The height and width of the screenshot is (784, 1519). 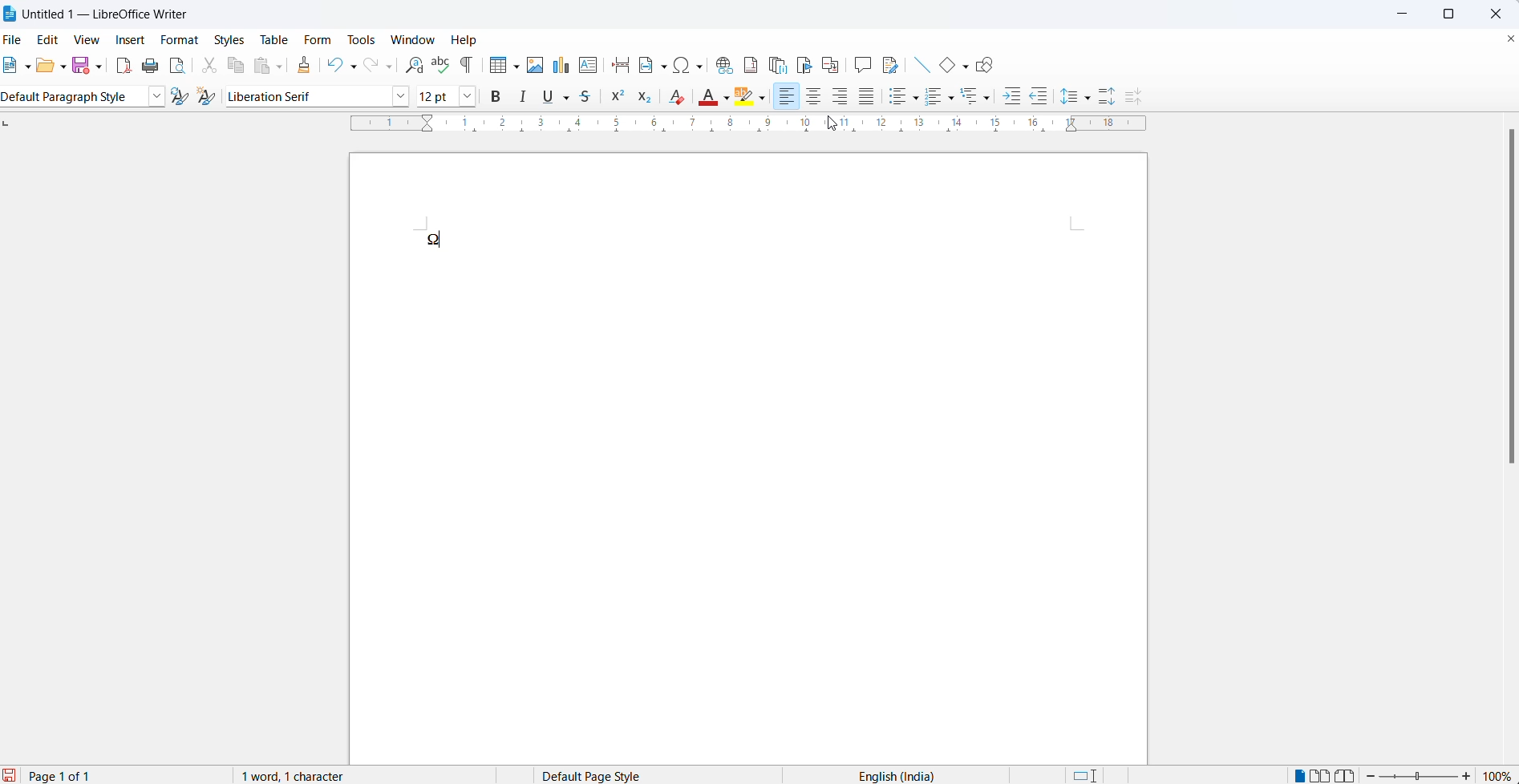 What do you see at coordinates (15, 38) in the screenshot?
I see `file` at bounding box center [15, 38].